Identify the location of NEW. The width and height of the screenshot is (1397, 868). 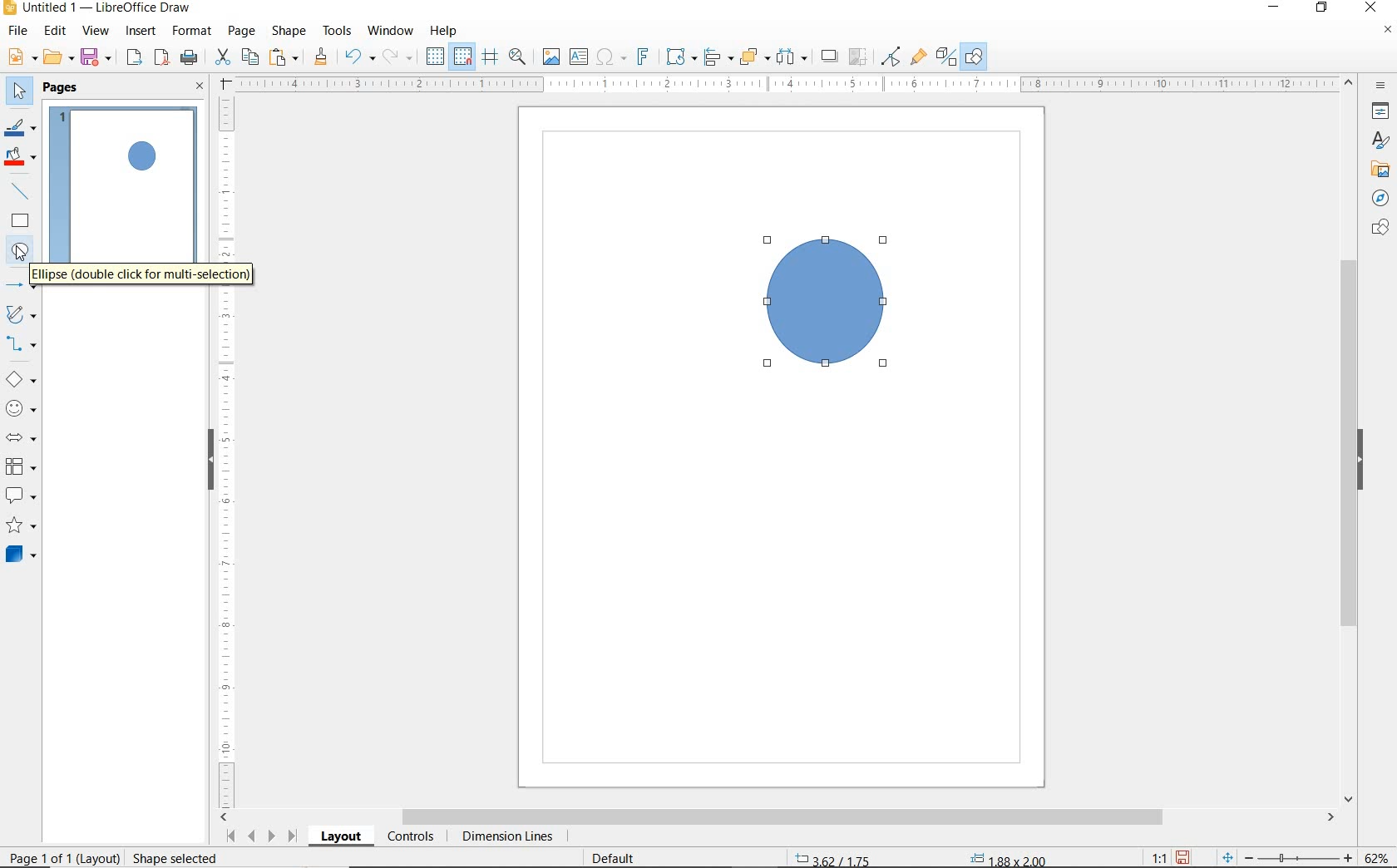
(20, 57).